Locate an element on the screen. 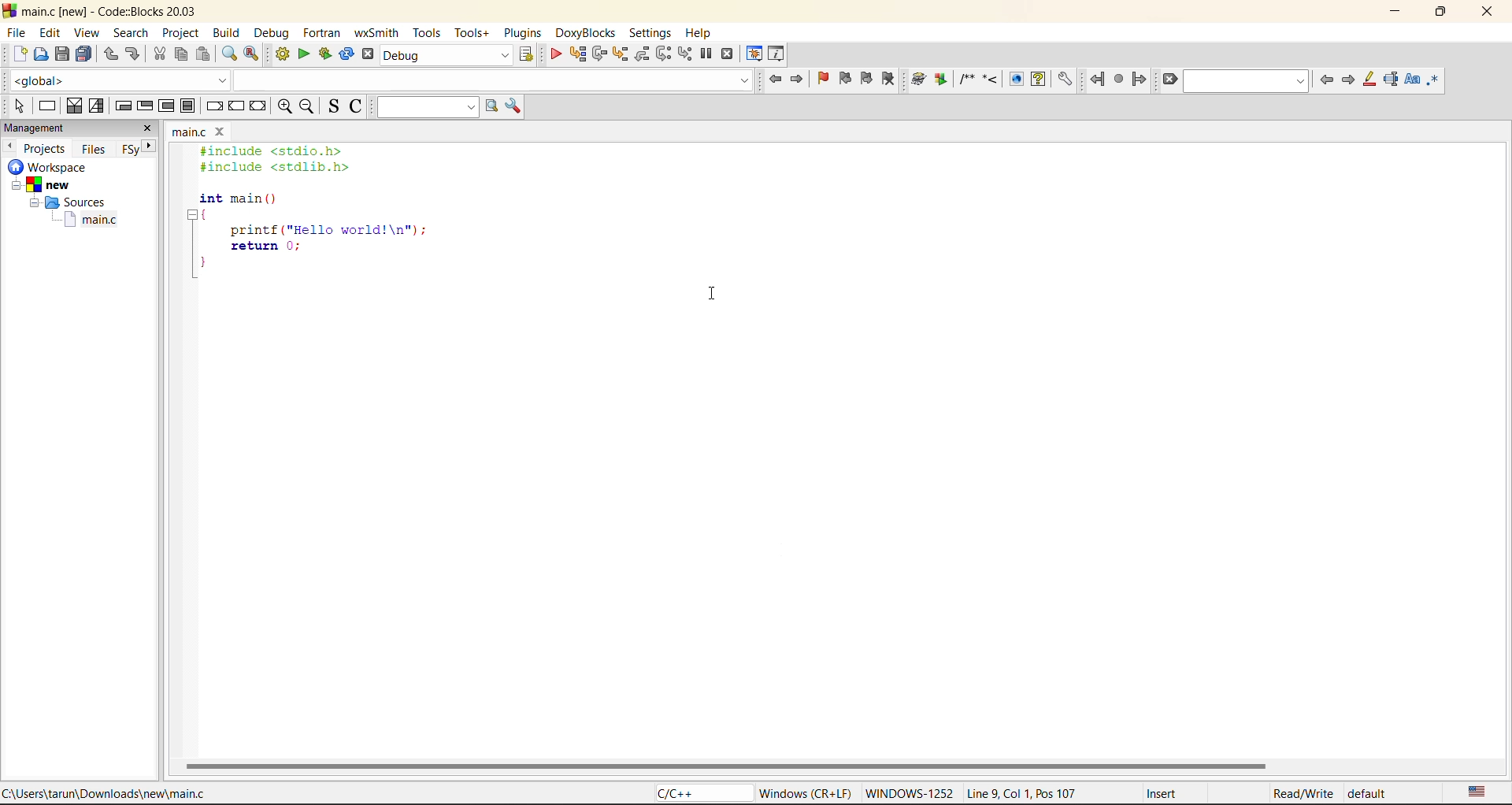 The height and width of the screenshot is (805, 1512). open is located at coordinates (42, 54).